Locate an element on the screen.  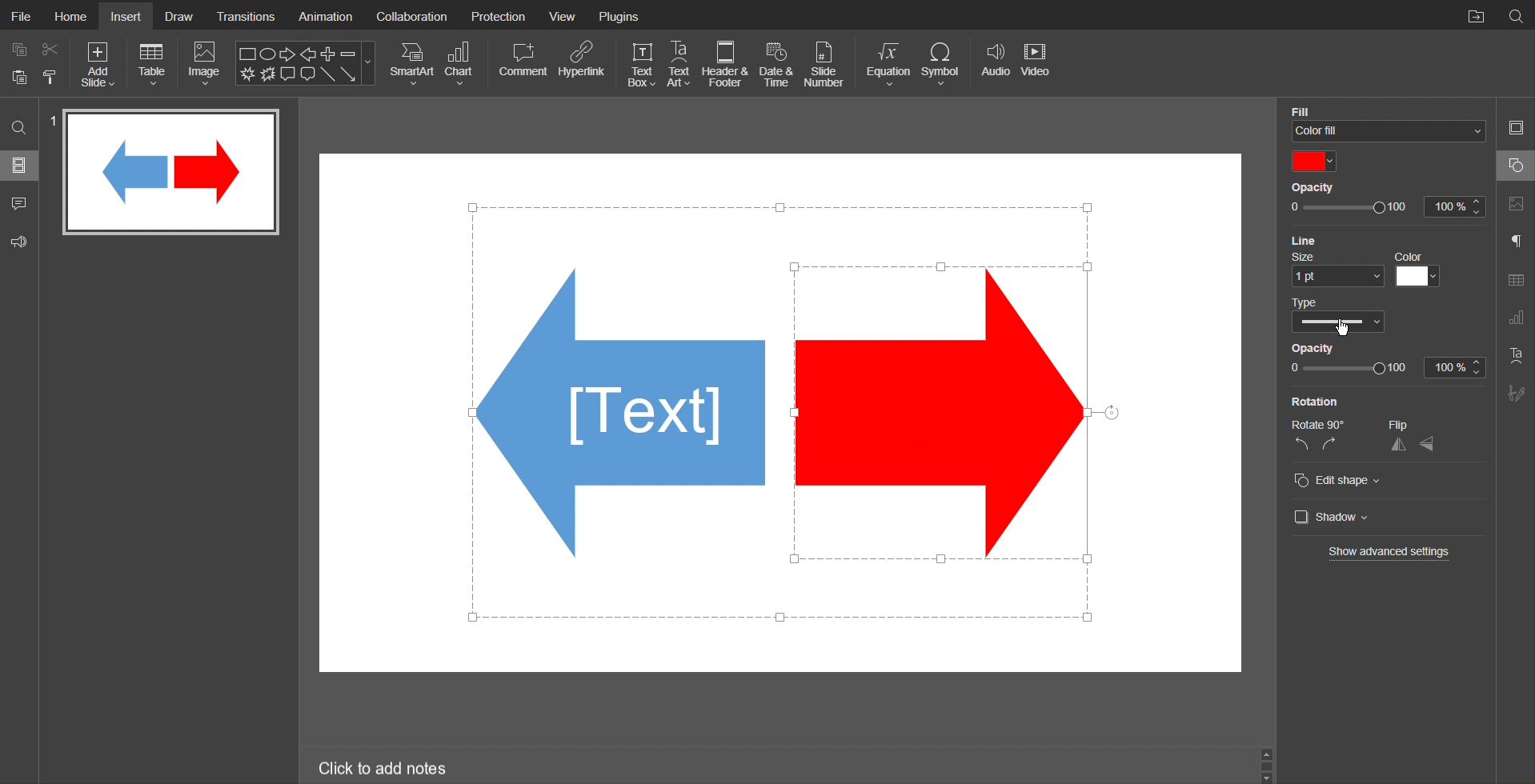
Transitions is located at coordinates (246, 15).